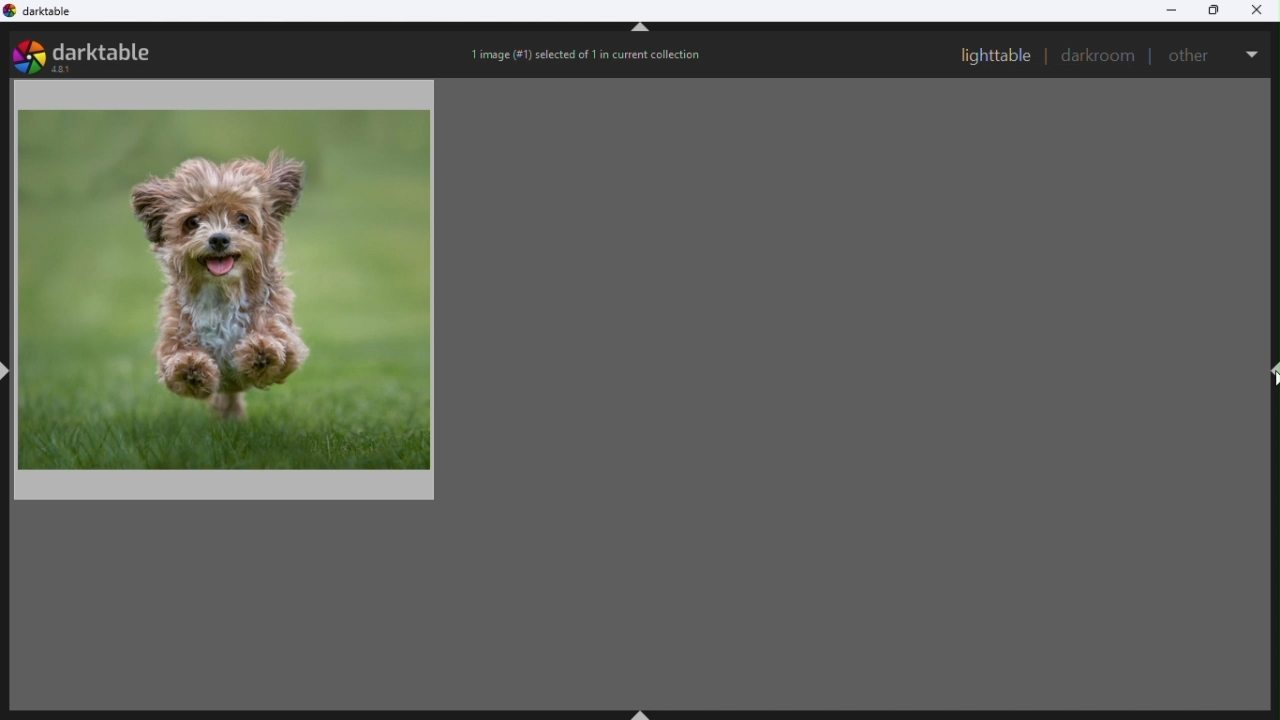  I want to click on Image, so click(231, 287).